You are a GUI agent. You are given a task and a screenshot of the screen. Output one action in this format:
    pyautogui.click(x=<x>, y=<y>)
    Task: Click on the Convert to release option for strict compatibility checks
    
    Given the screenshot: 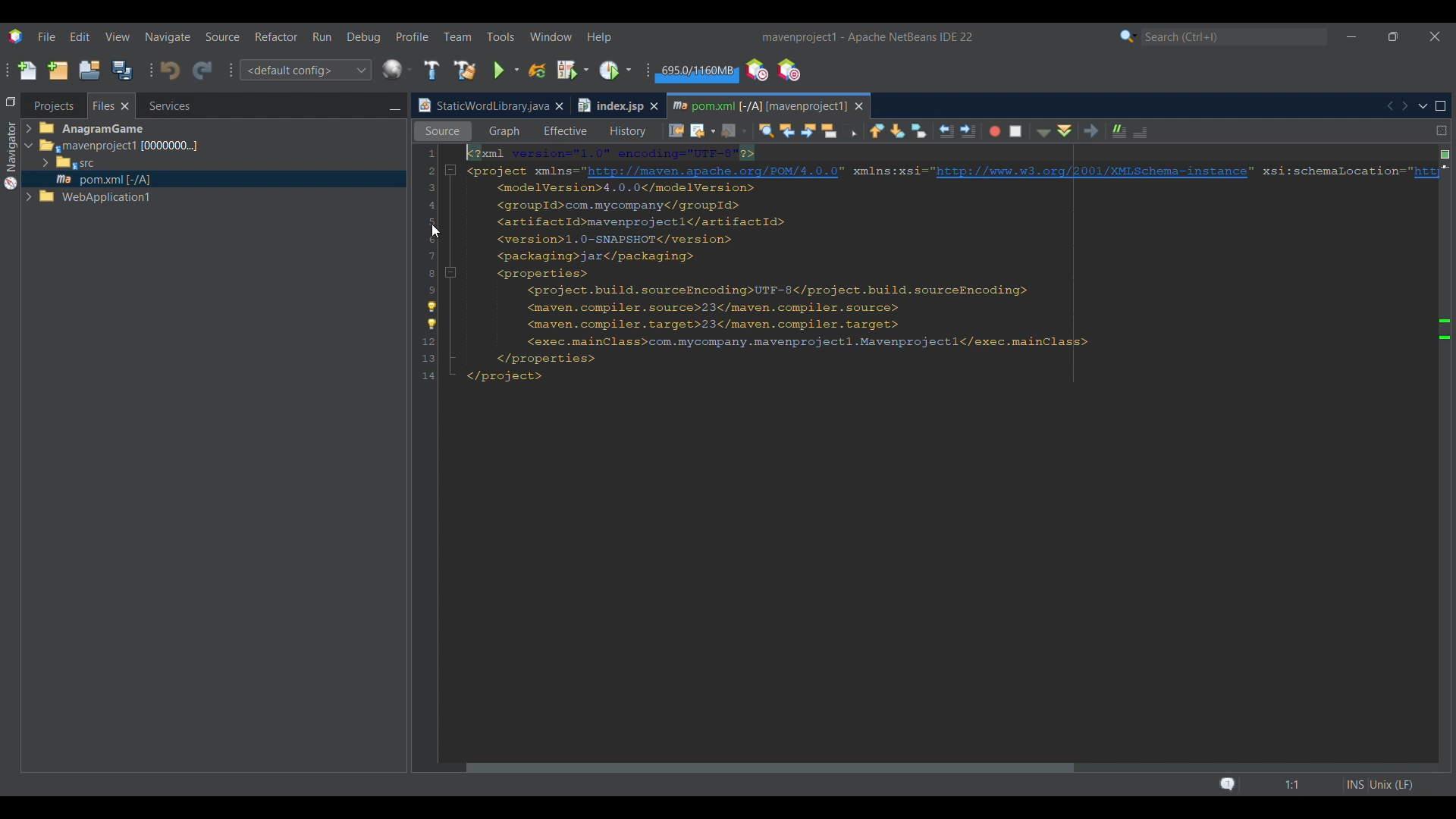 What is the action you would take?
    pyautogui.click(x=431, y=317)
    